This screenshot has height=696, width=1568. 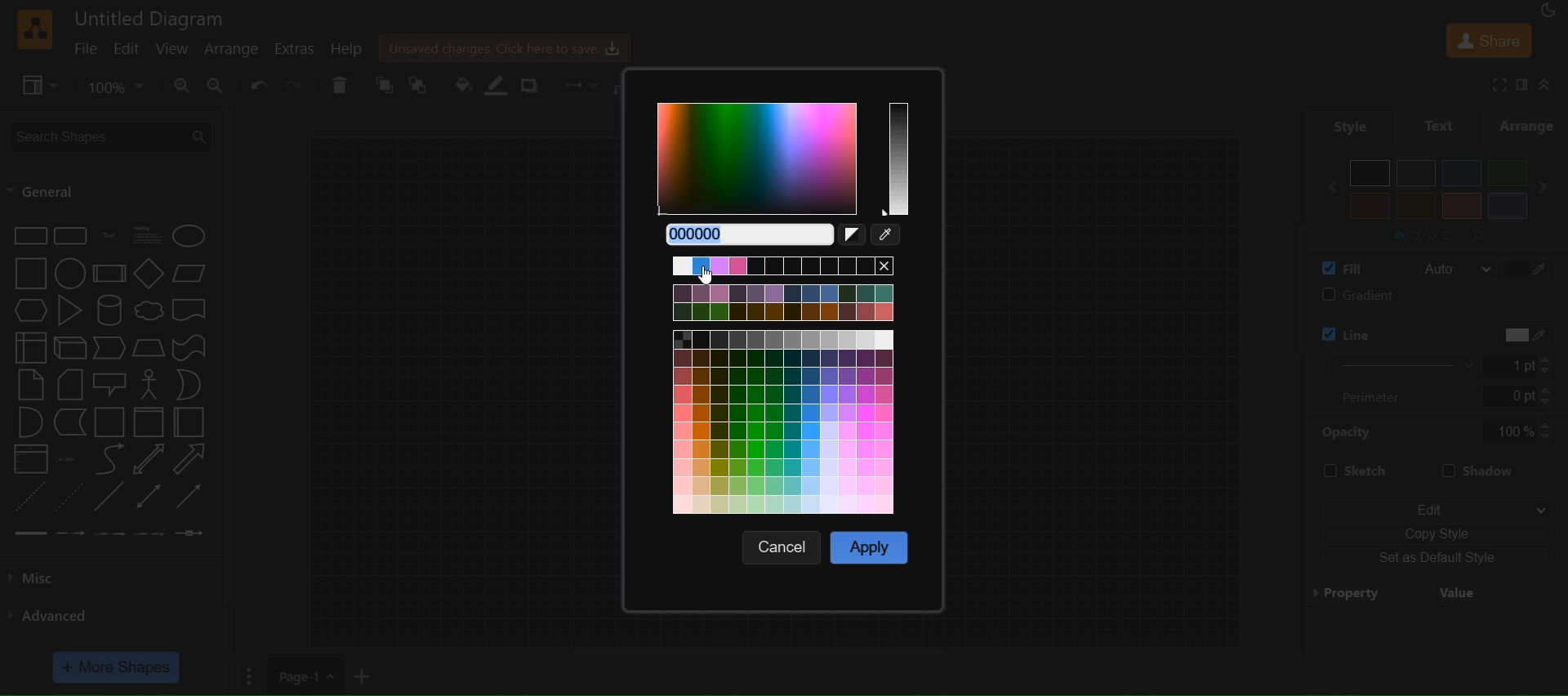 What do you see at coordinates (1341, 124) in the screenshot?
I see `style` at bounding box center [1341, 124].